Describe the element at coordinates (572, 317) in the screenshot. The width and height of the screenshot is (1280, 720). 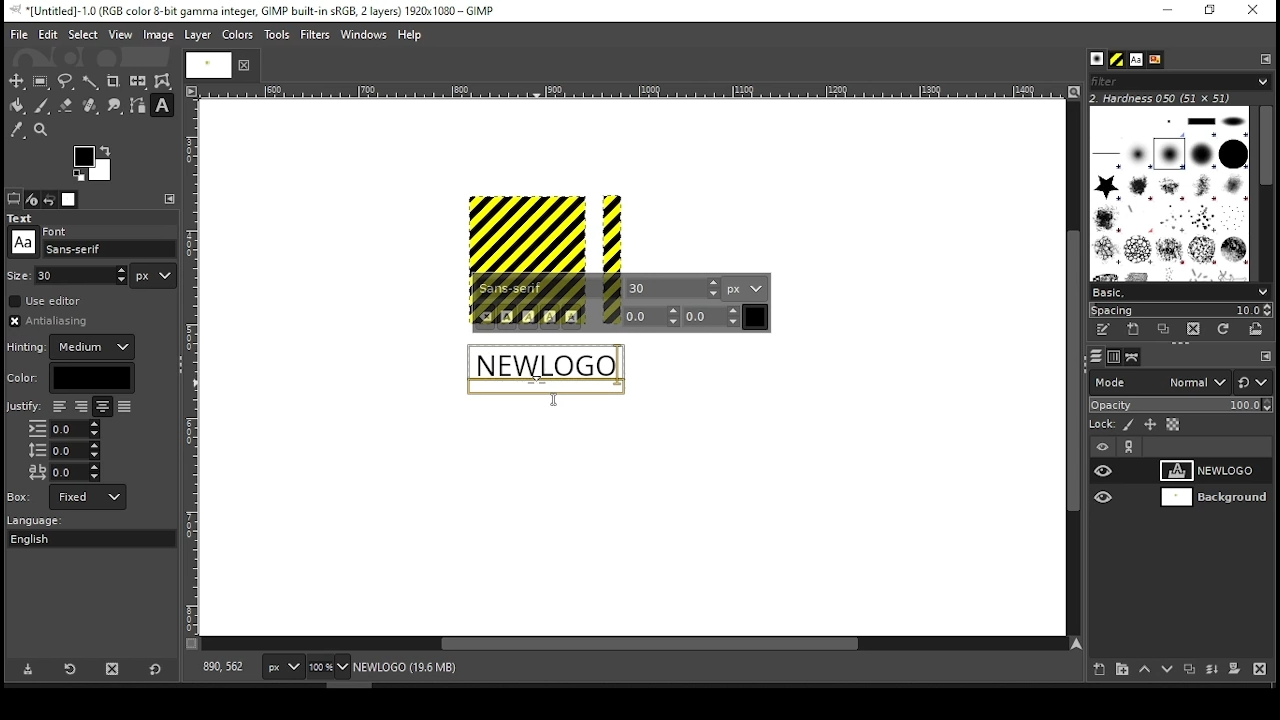
I see `strikethrough` at that location.